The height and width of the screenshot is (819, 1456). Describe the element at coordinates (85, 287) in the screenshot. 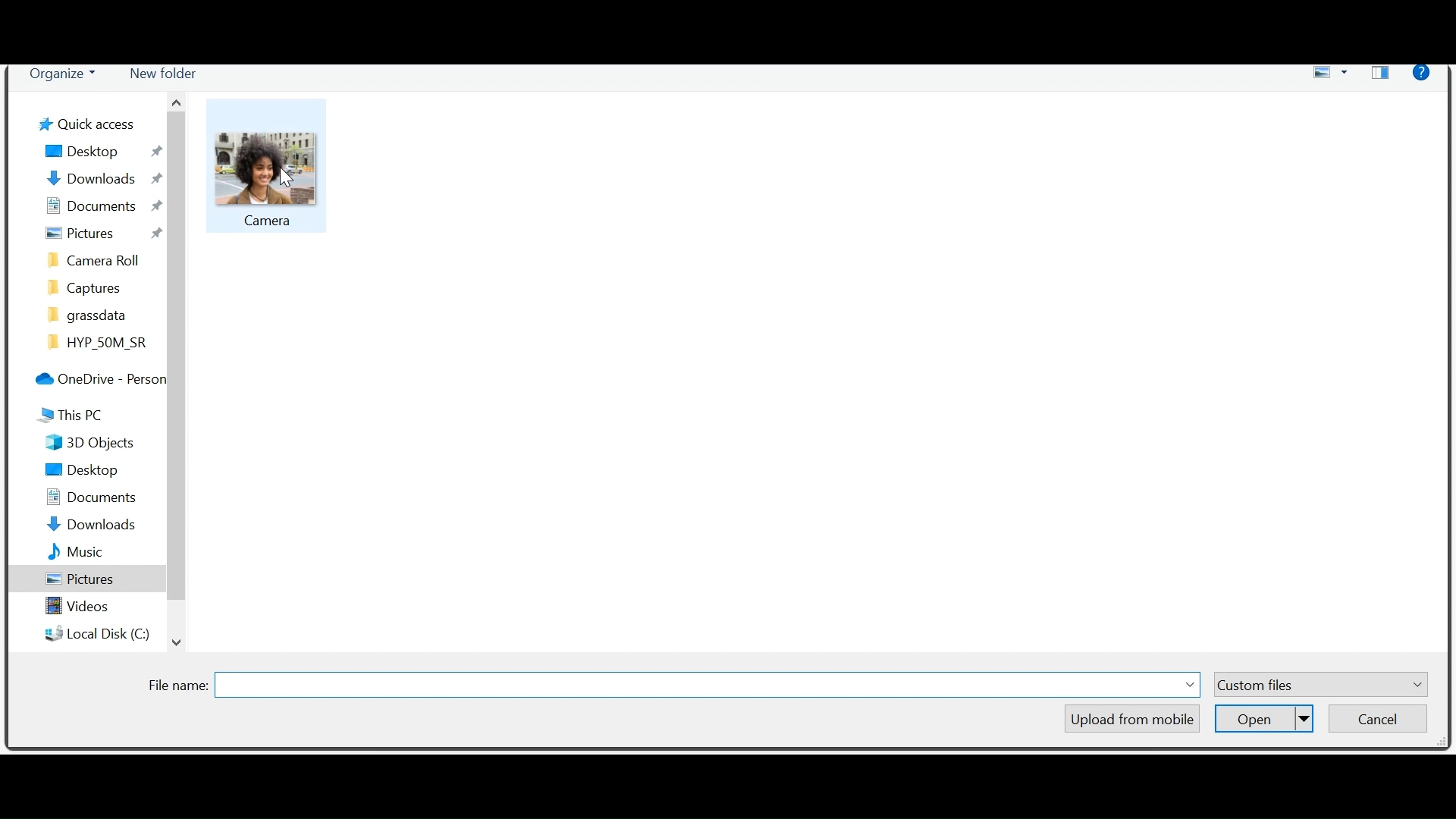

I see `Captures` at that location.